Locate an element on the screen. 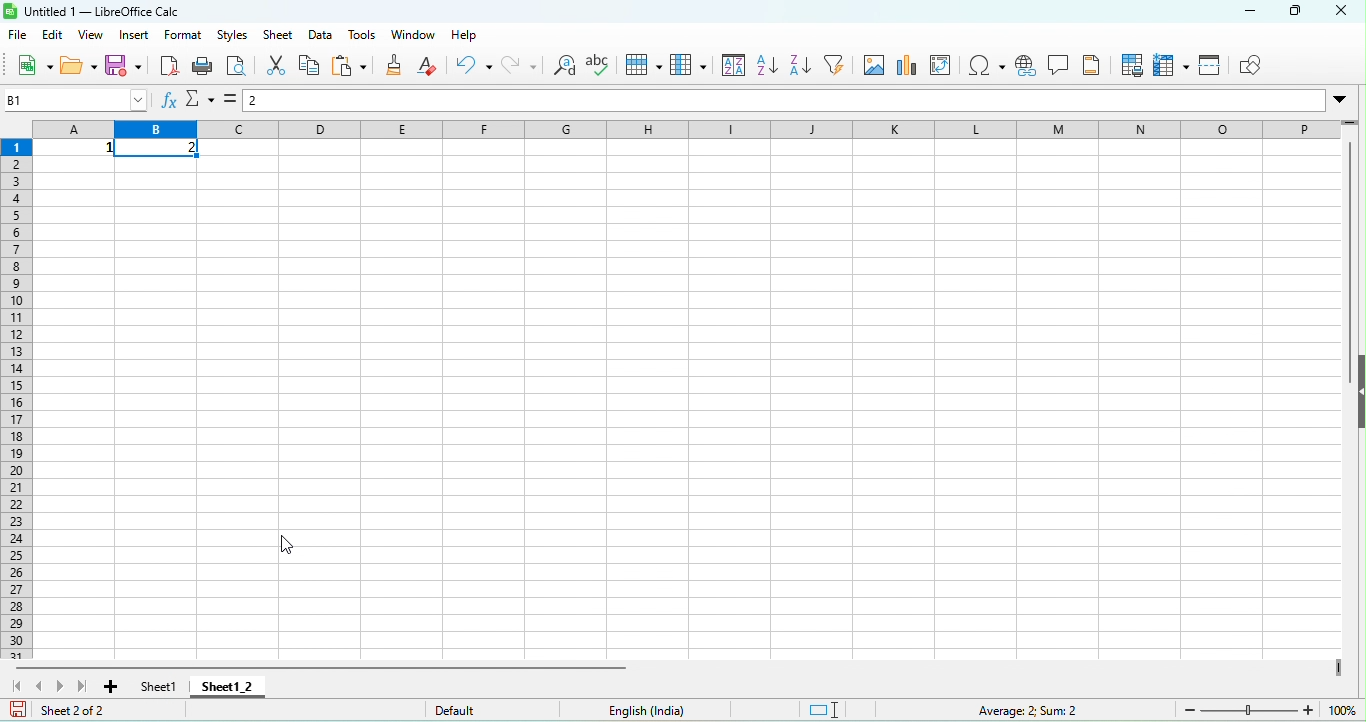  save is located at coordinates (126, 66).